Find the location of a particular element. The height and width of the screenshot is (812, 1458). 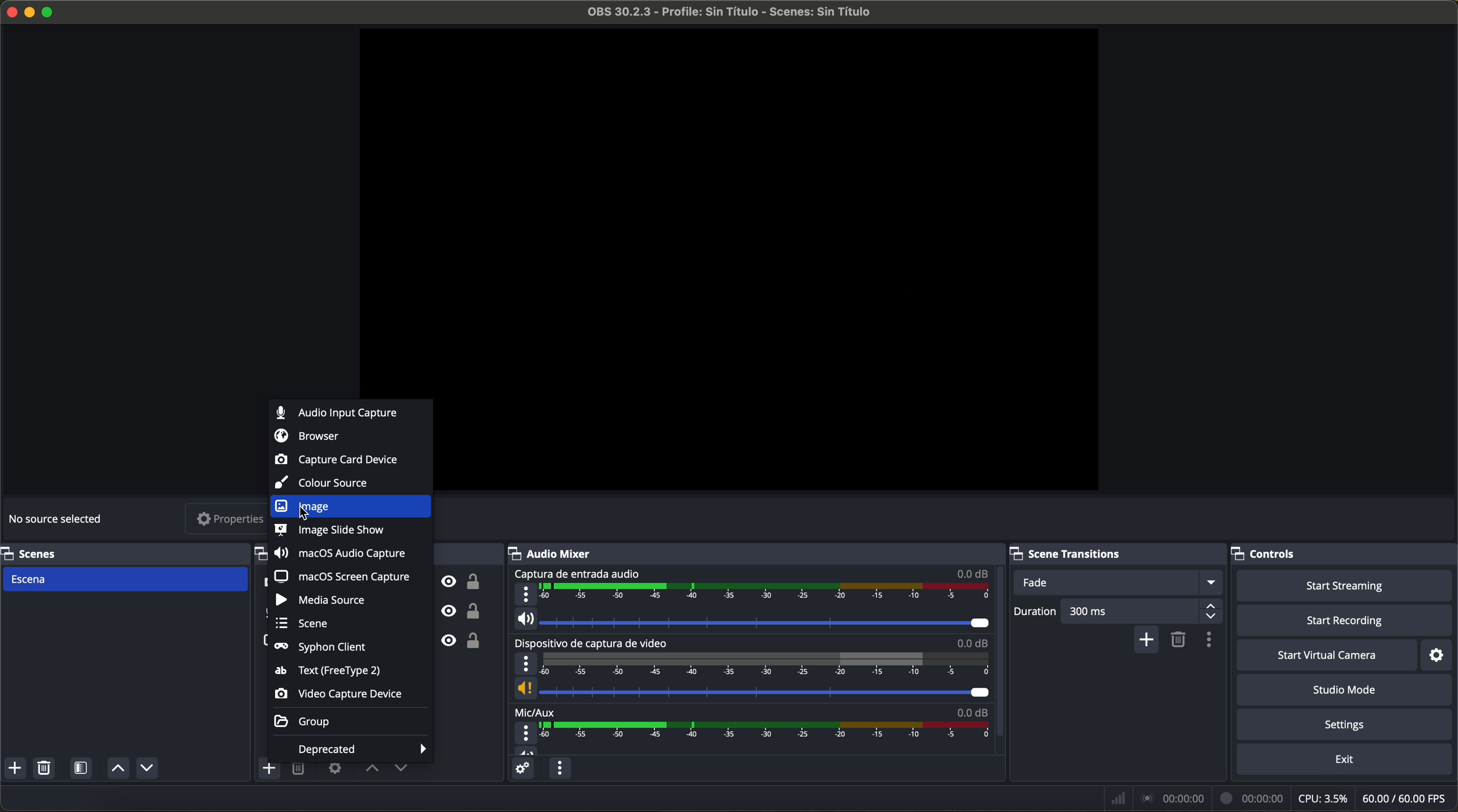

audio mixer is located at coordinates (556, 553).